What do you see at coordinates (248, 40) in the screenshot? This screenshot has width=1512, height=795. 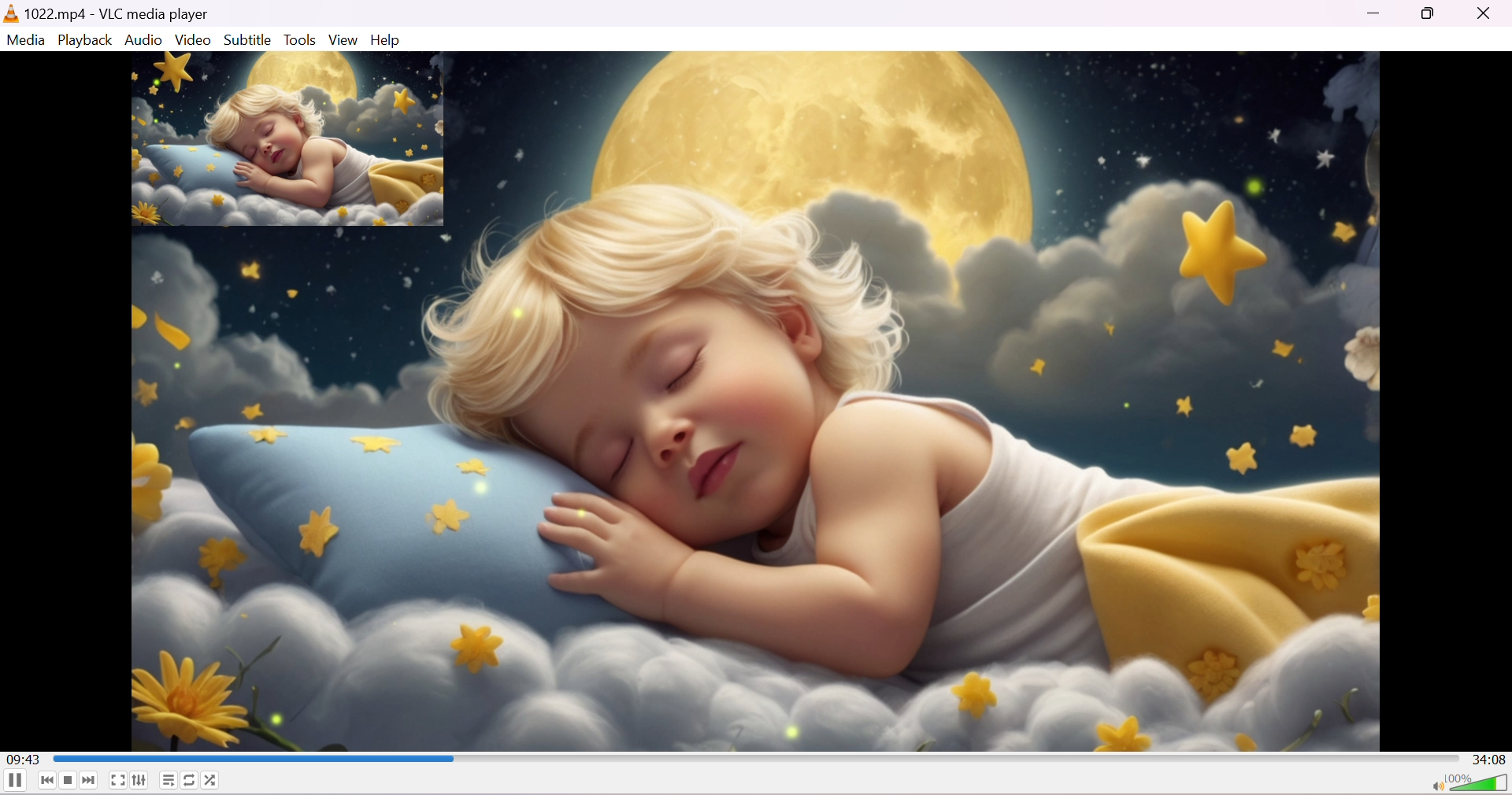 I see `Subtitles` at bounding box center [248, 40].